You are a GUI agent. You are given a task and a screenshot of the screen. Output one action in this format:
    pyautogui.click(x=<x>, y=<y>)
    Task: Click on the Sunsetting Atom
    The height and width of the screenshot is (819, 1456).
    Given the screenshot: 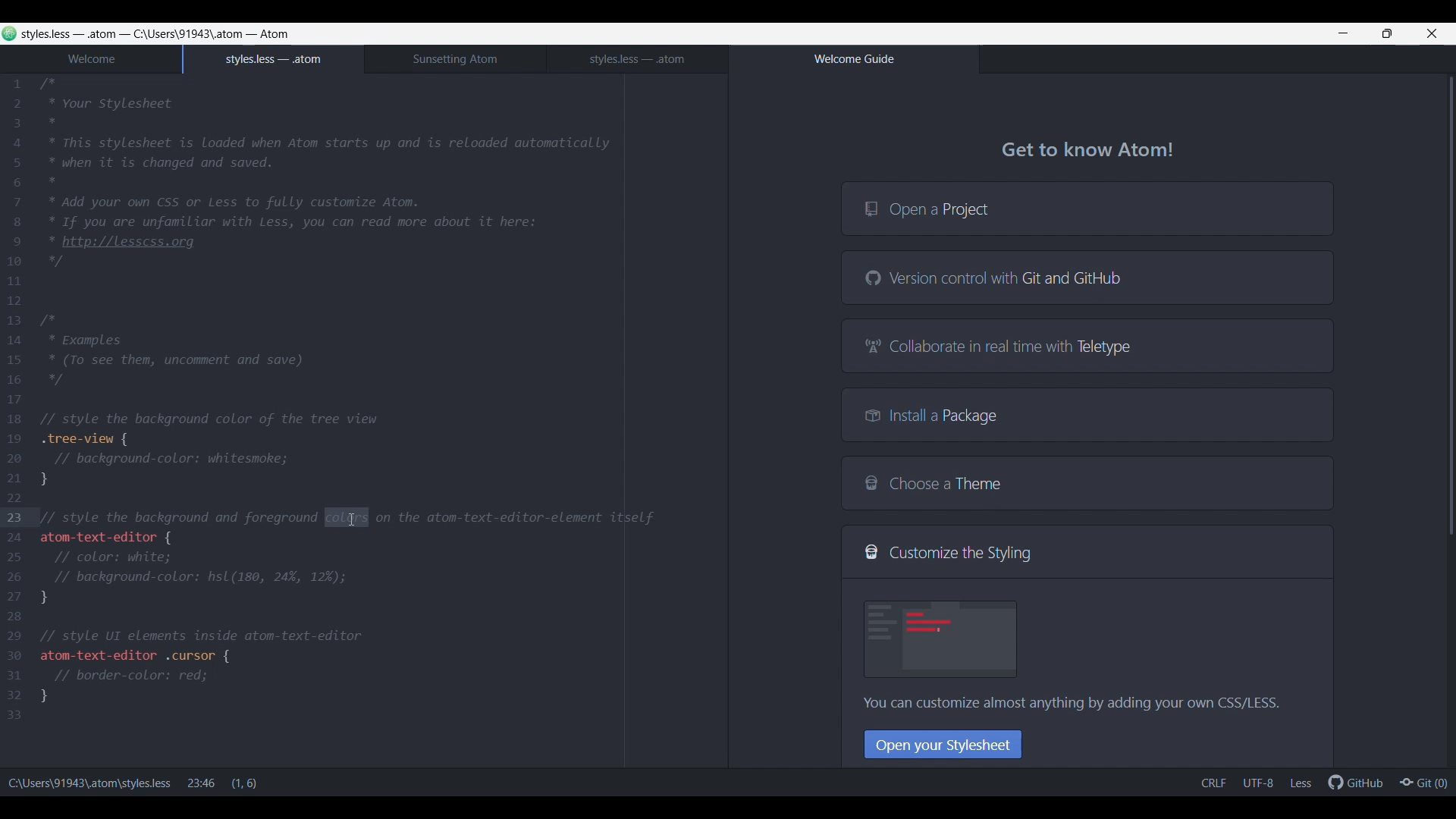 What is the action you would take?
    pyautogui.click(x=455, y=59)
    